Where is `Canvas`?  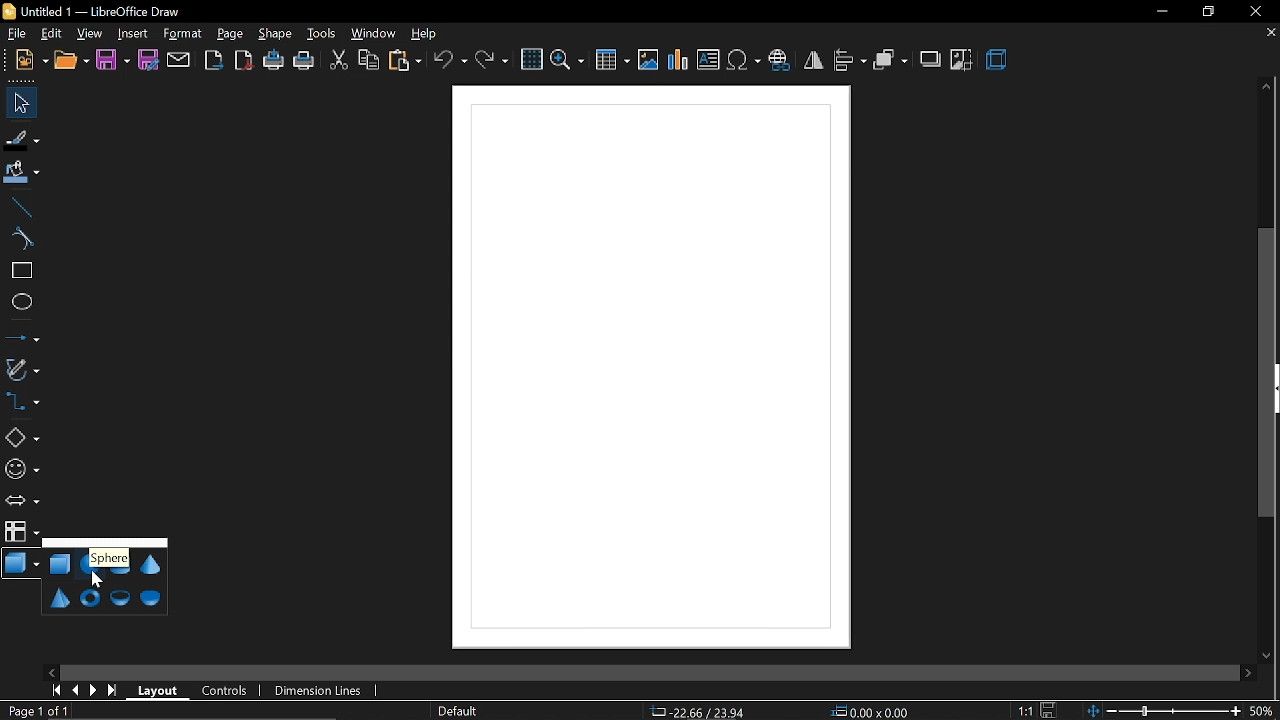
Canvas is located at coordinates (649, 369).